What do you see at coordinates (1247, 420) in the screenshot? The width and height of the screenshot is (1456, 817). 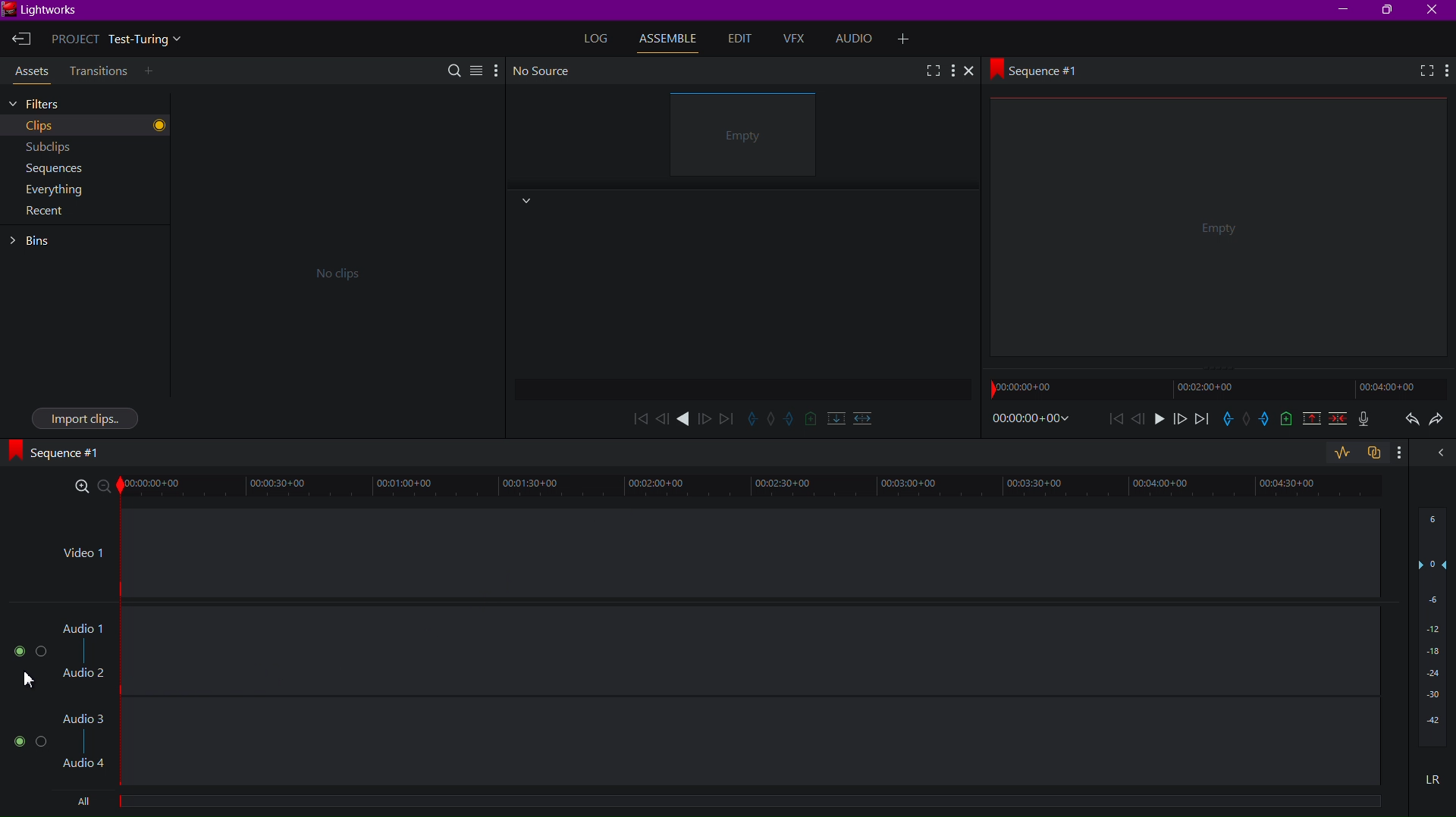 I see `hold` at bounding box center [1247, 420].